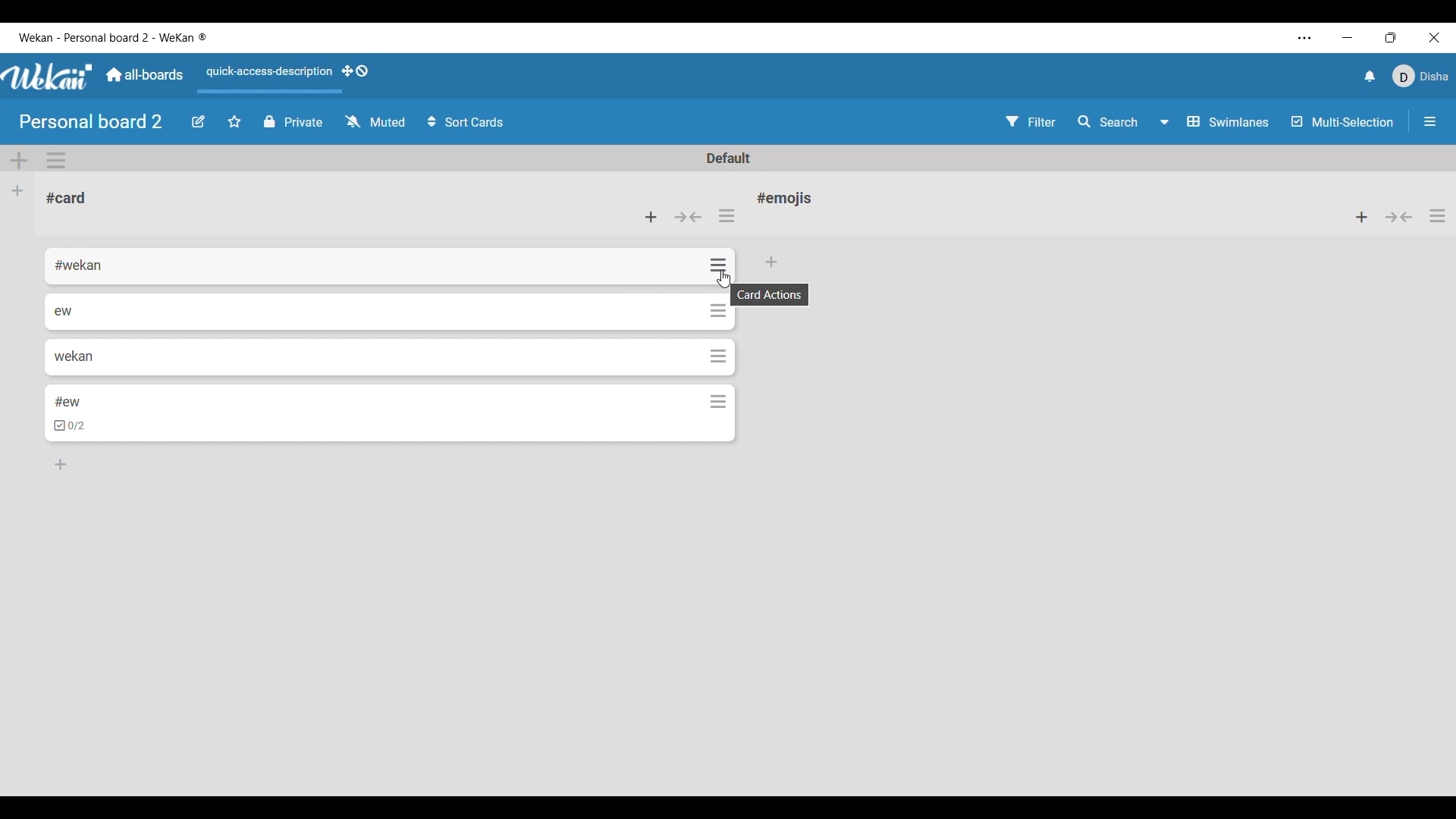 This screenshot has width=1456, height=819. Describe the element at coordinates (198, 122) in the screenshot. I see `Edit` at that location.